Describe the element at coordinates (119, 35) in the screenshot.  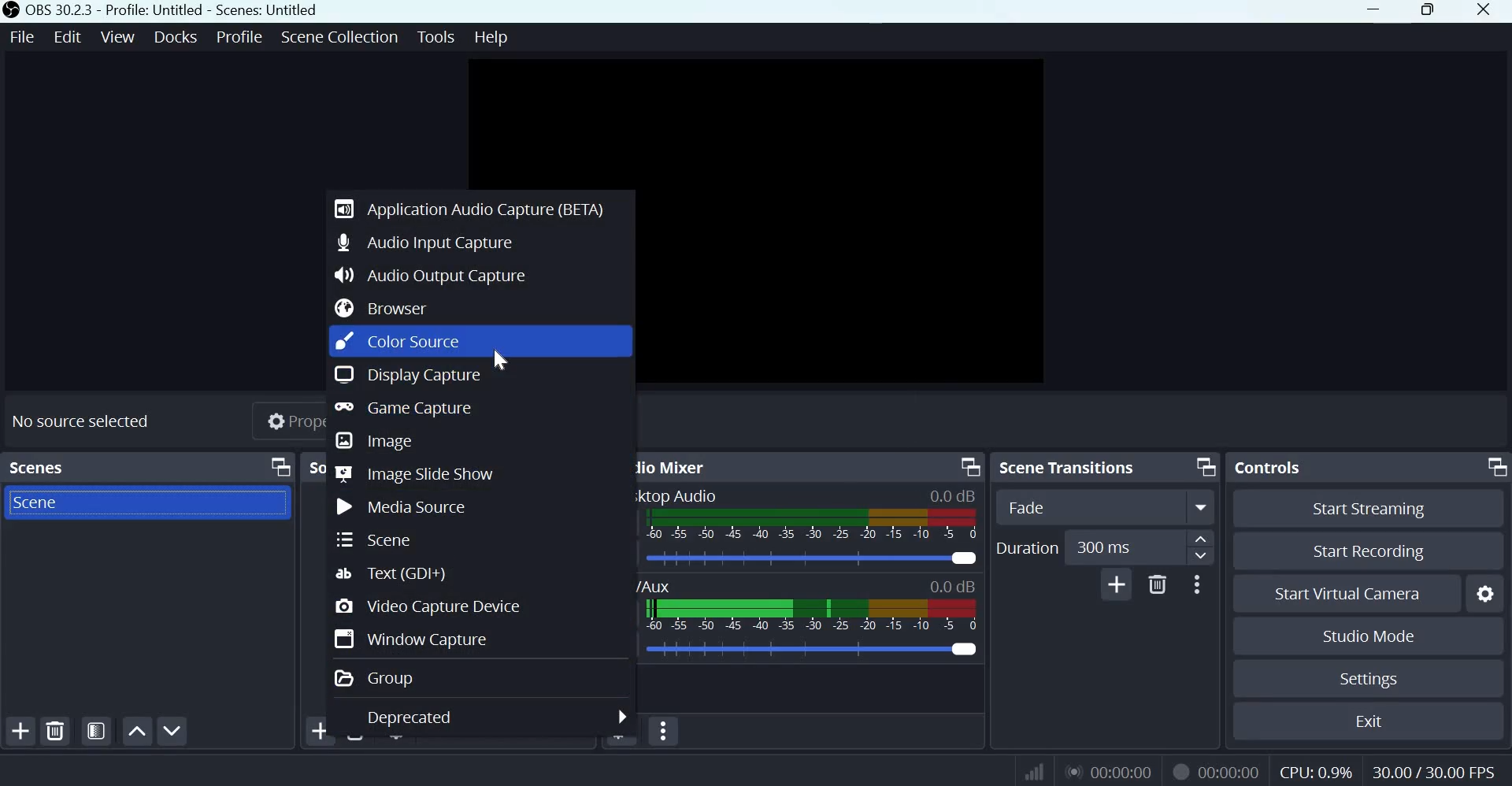
I see `View` at that location.